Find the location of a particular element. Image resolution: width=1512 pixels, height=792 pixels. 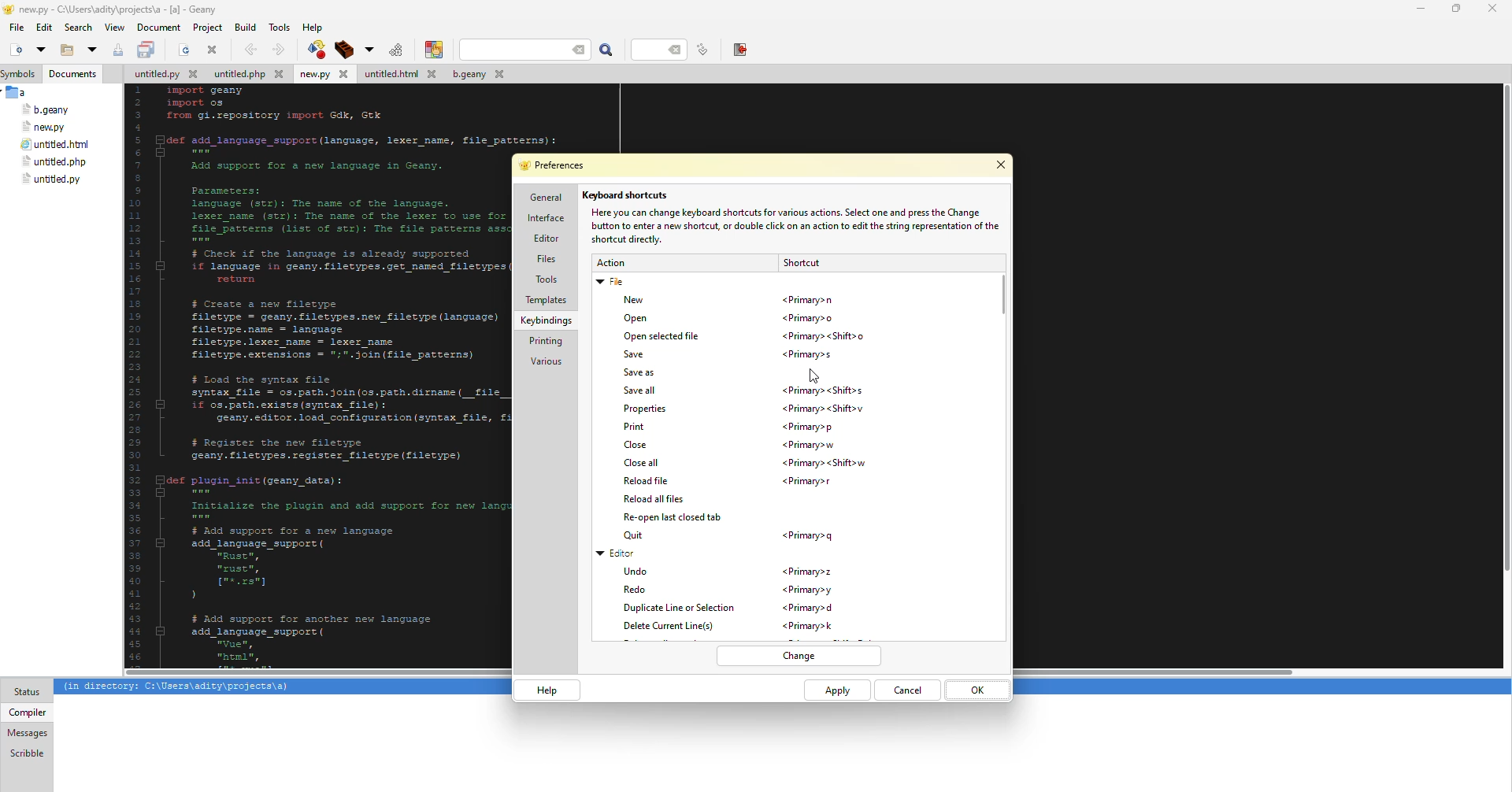

editor is located at coordinates (544, 239).